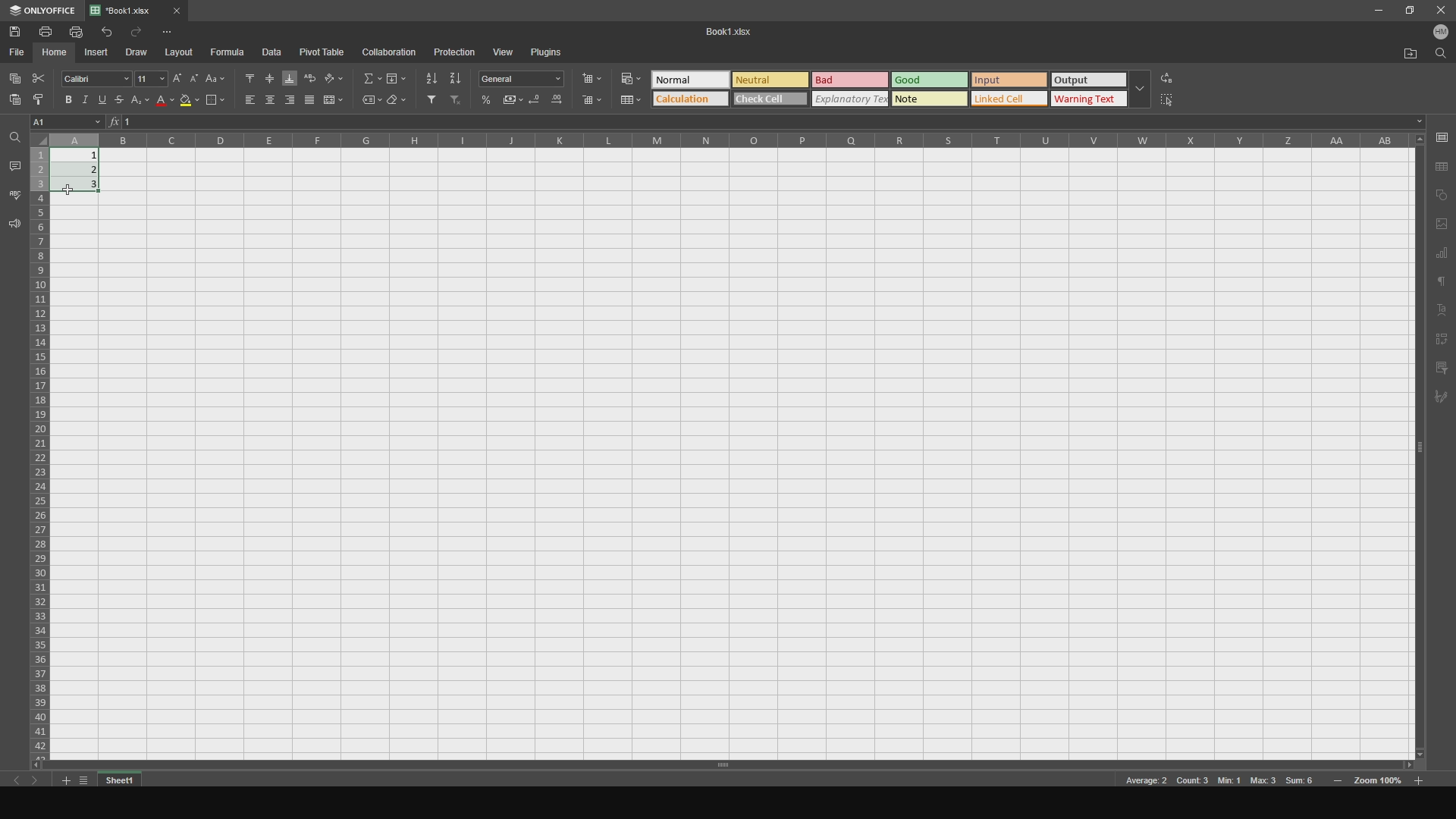 This screenshot has height=819, width=1456. What do you see at coordinates (1442, 284) in the screenshot?
I see `text` at bounding box center [1442, 284].